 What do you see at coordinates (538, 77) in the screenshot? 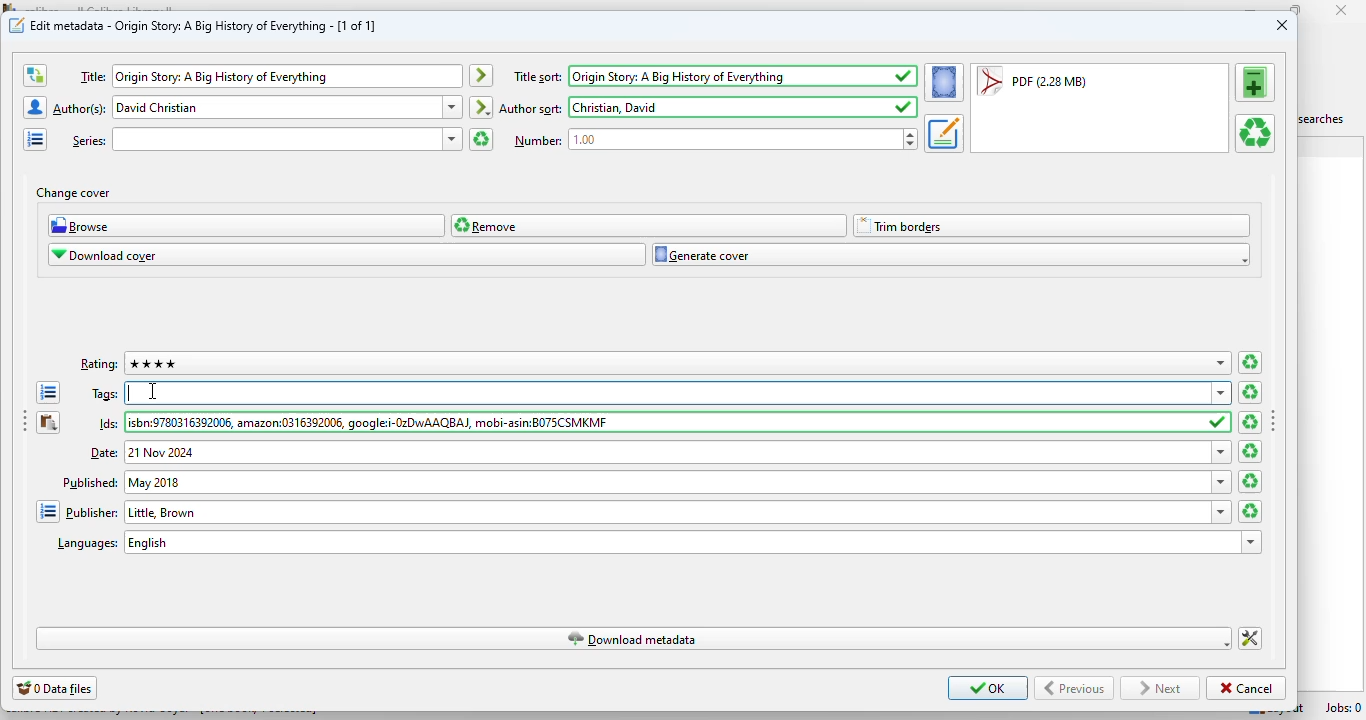
I see `text` at bounding box center [538, 77].